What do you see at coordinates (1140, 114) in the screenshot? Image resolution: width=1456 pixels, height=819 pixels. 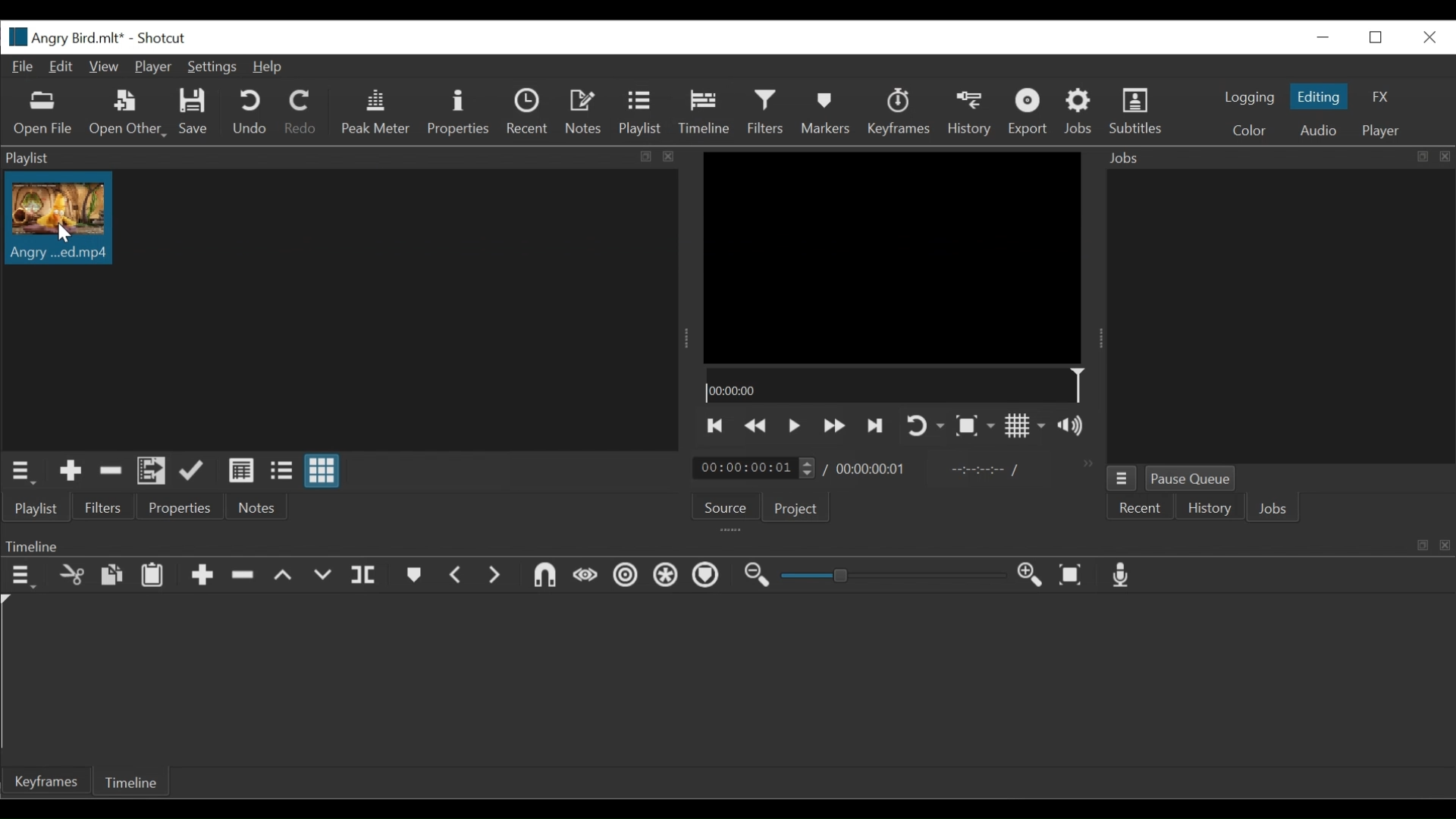 I see `Subtitles` at bounding box center [1140, 114].